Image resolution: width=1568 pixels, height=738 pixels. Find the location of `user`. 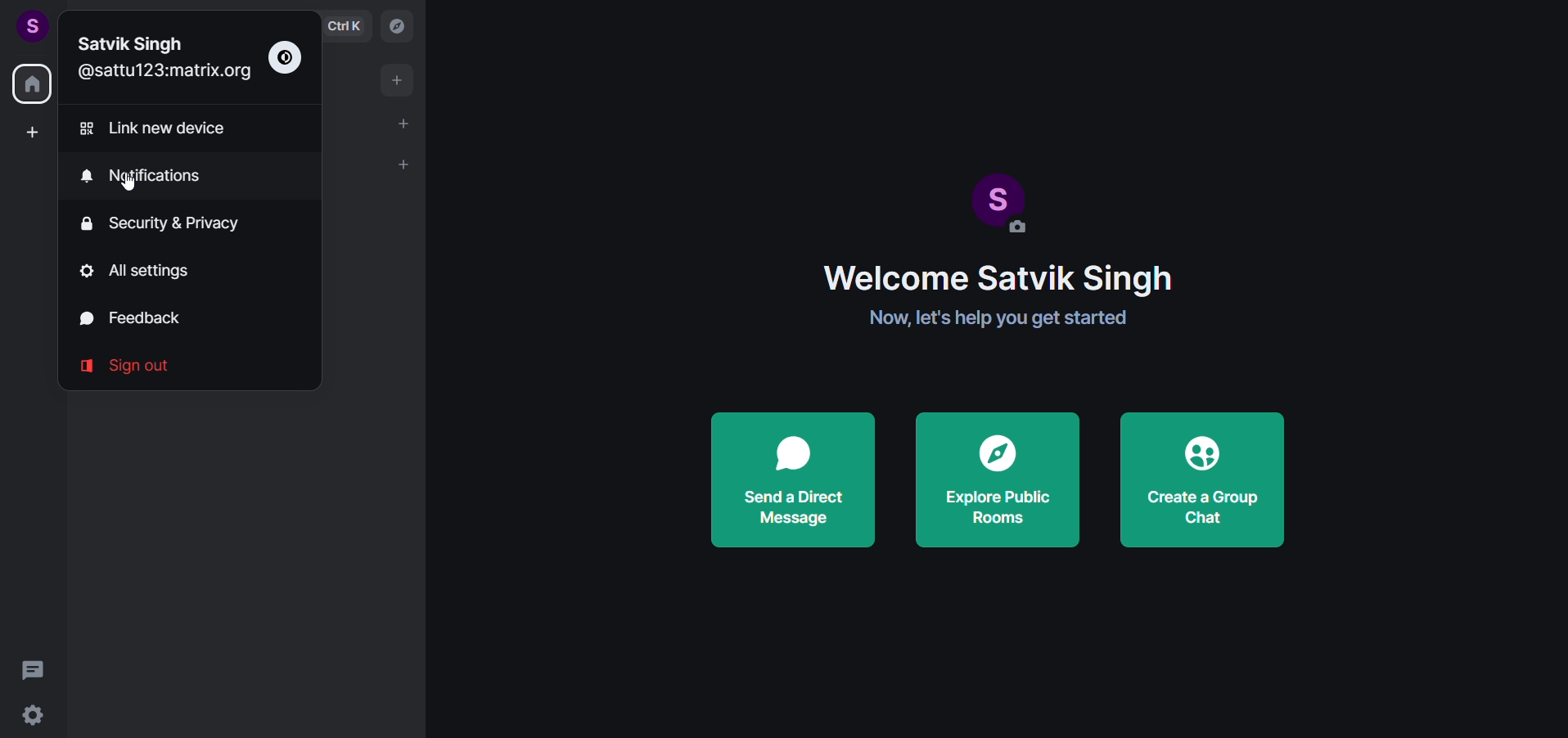

user is located at coordinates (25, 25).